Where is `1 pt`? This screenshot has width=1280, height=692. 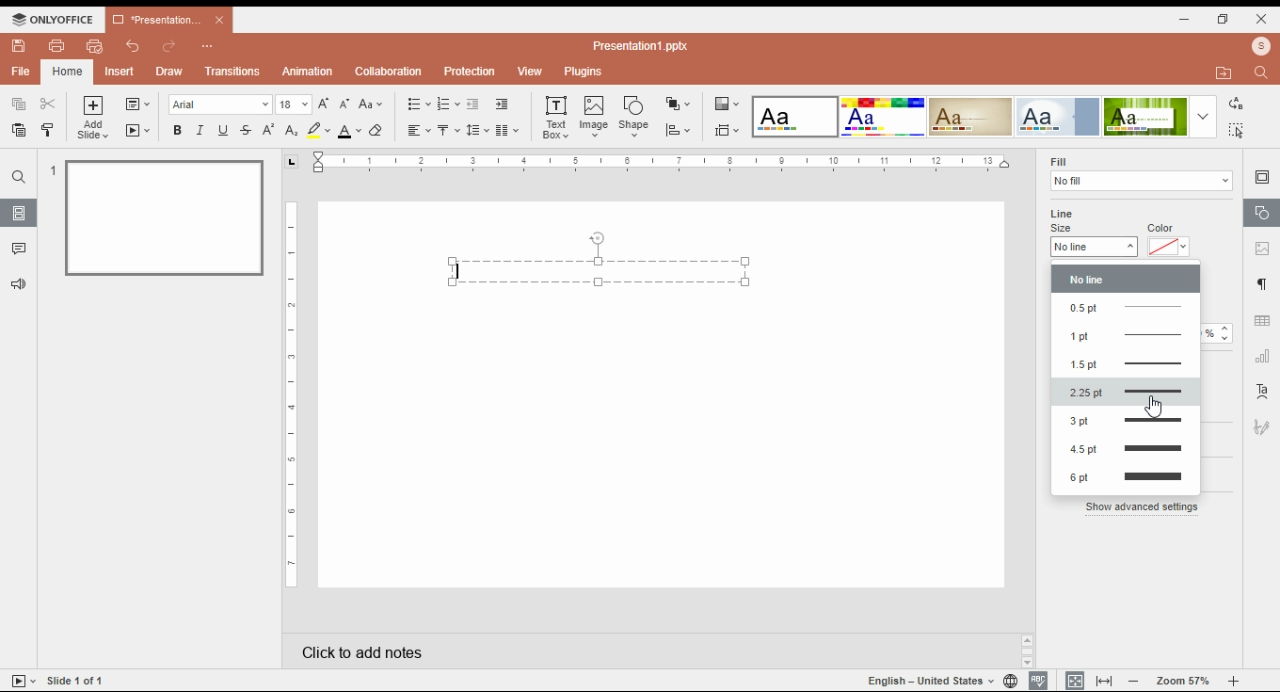 1 pt is located at coordinates (1124, 333).